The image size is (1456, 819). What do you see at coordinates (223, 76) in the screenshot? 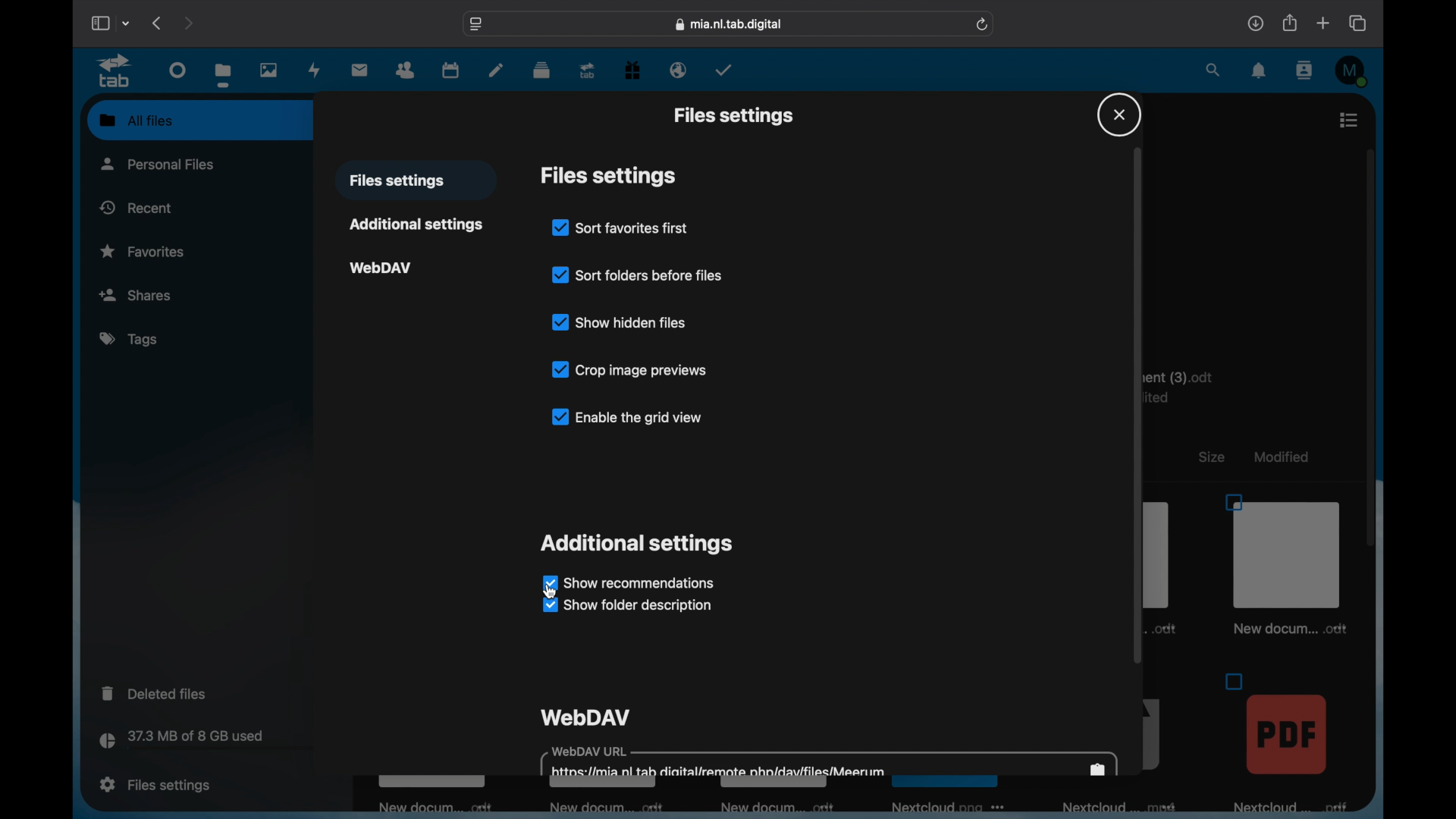
I see `files` at bounding box center [223, 76].